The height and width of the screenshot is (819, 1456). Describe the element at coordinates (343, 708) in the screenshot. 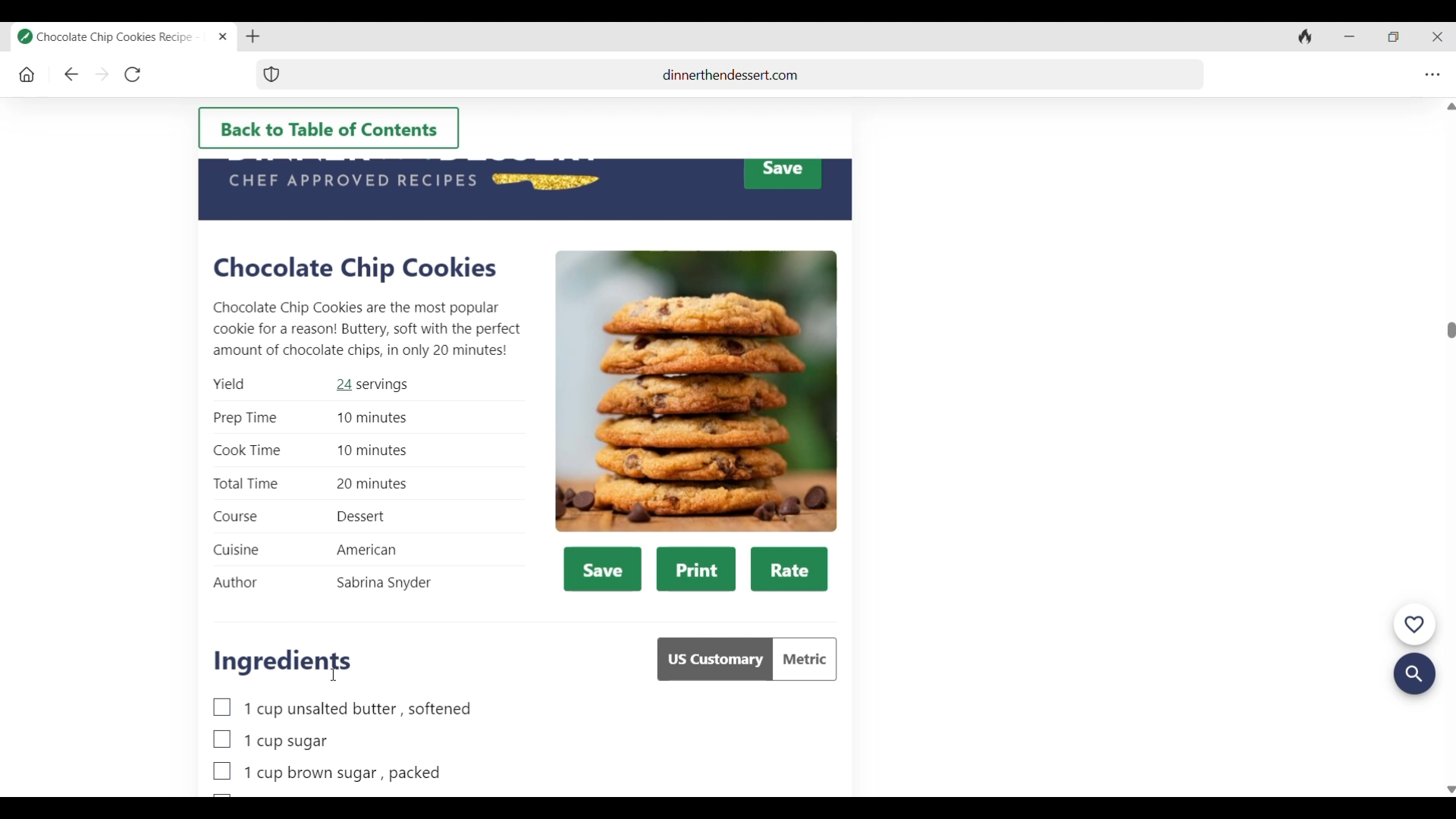

I see `1 cup unsalted butter, softened` at that location.